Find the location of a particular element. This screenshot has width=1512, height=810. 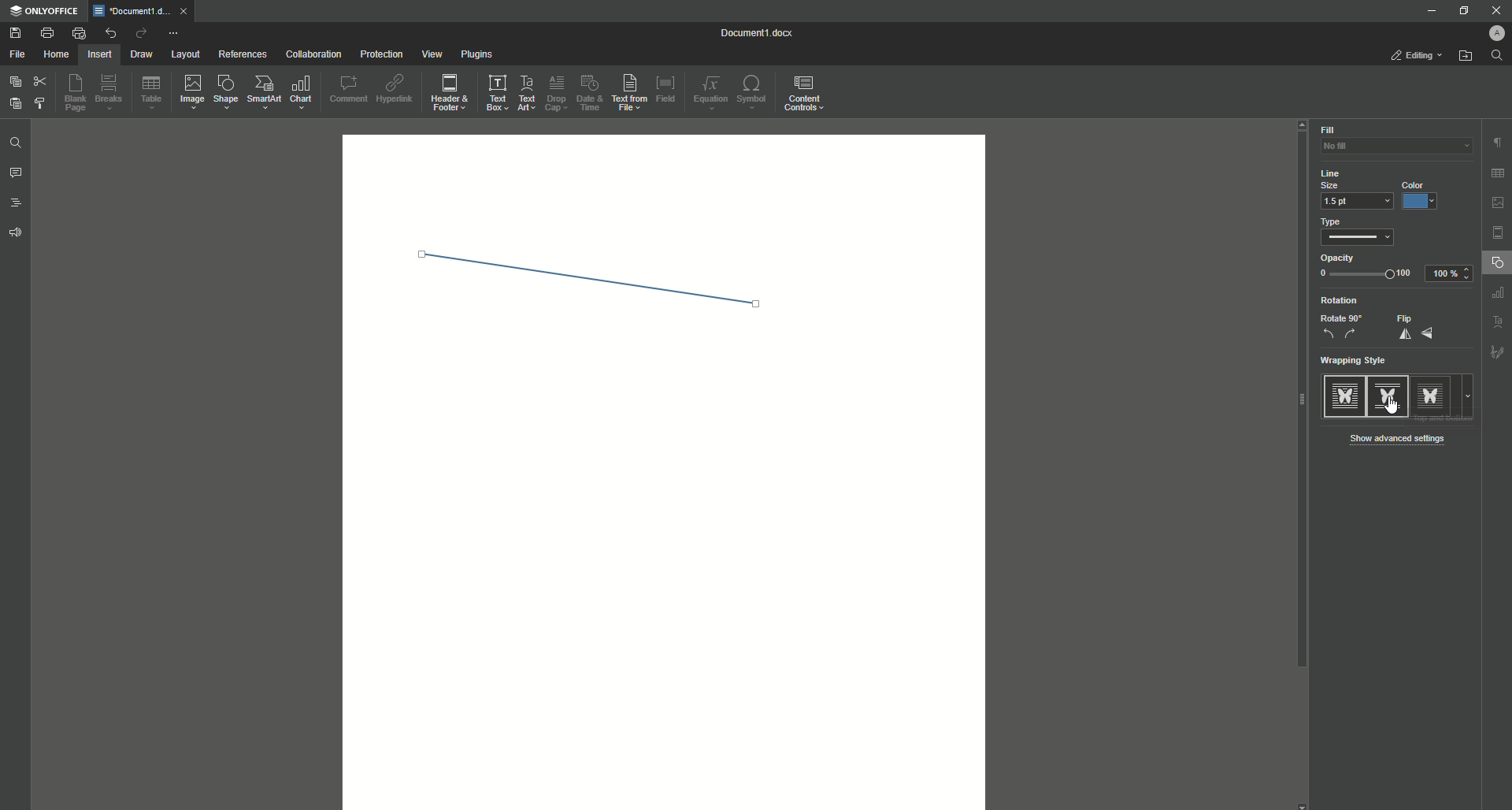

 is located at coordinates (1496, 295).